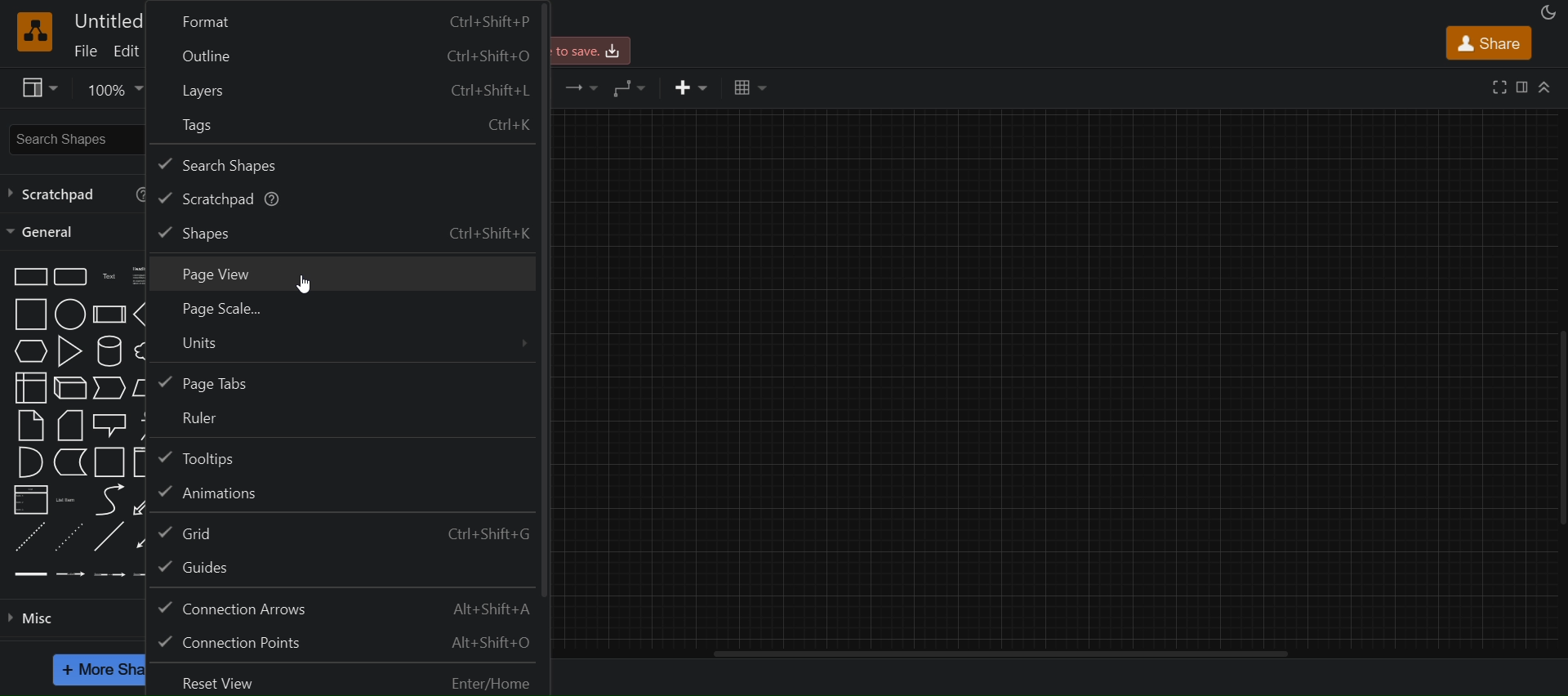  Describe the element at coordinates (345, 54) in the screenshot. I see `outline` at that location.